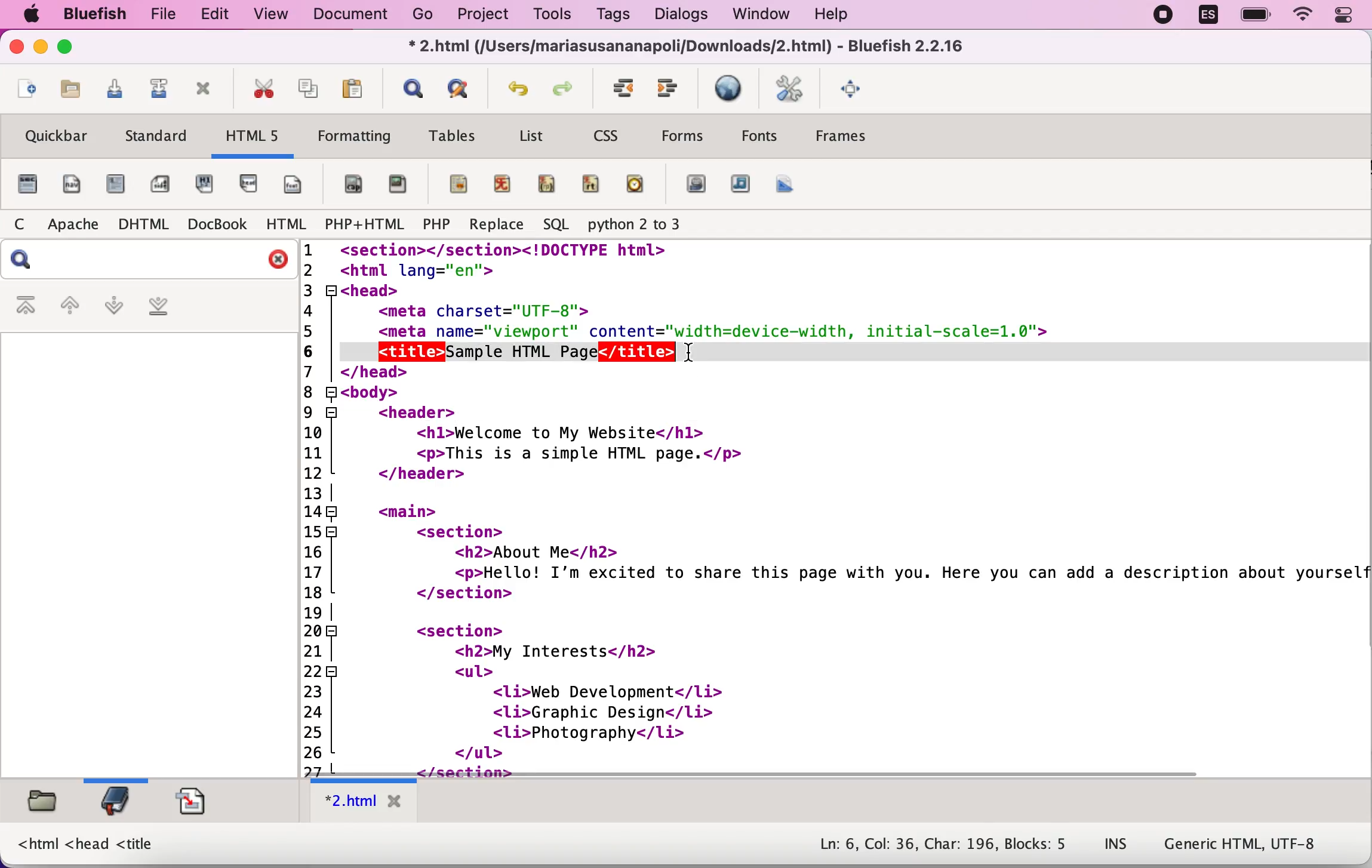 The image size is (1372, 868). What do you see at coordinates (750, 772) in the screenshot?
I see `scroll bar` at bounding box center [750, 772].